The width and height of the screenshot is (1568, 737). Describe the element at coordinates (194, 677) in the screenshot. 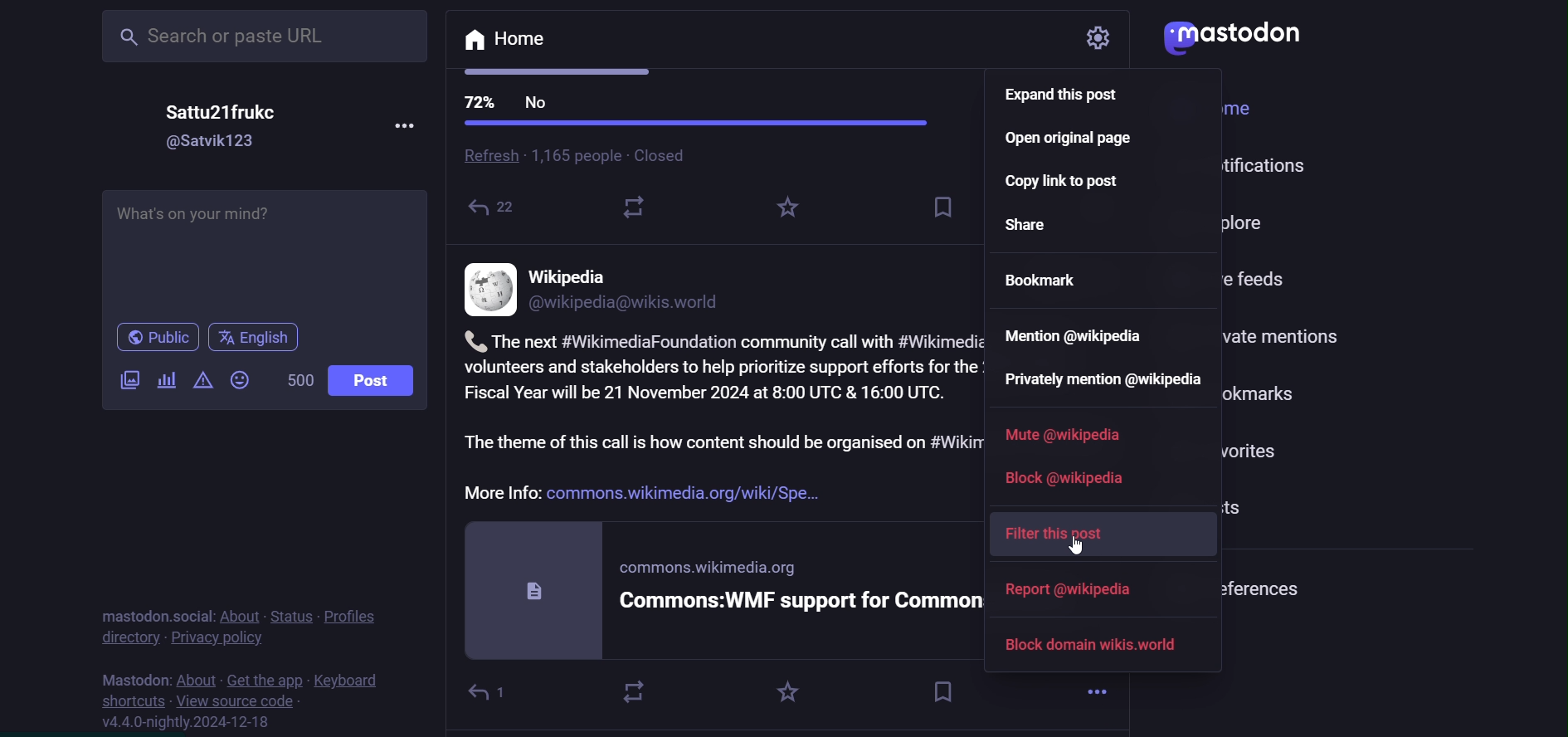

I see `about` at that location.